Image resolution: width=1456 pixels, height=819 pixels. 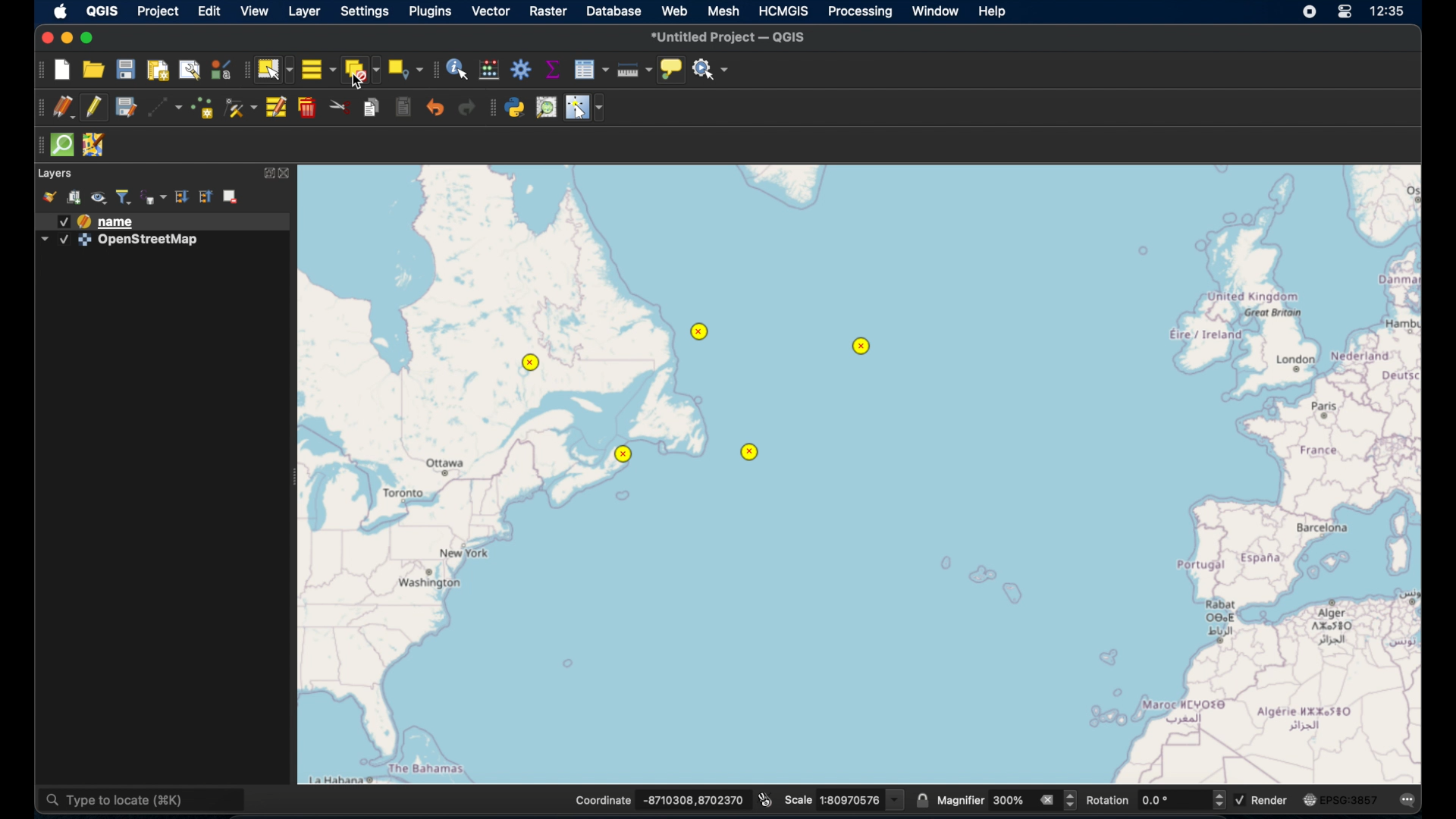 I want to click on deselect all features, so click(x=362, y=72).